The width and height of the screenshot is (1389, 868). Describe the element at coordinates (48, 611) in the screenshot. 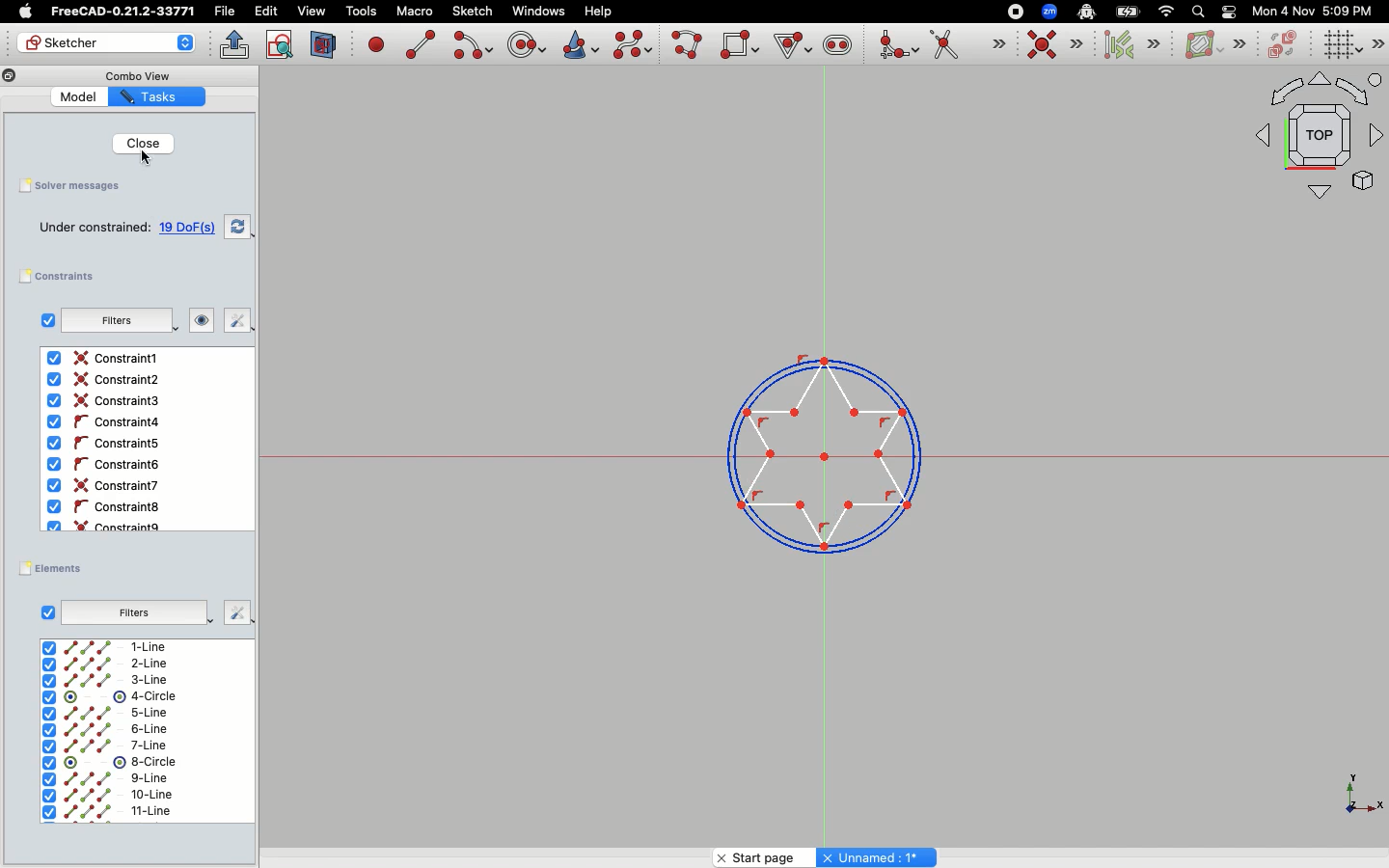

I see `Checkbox` at that location.